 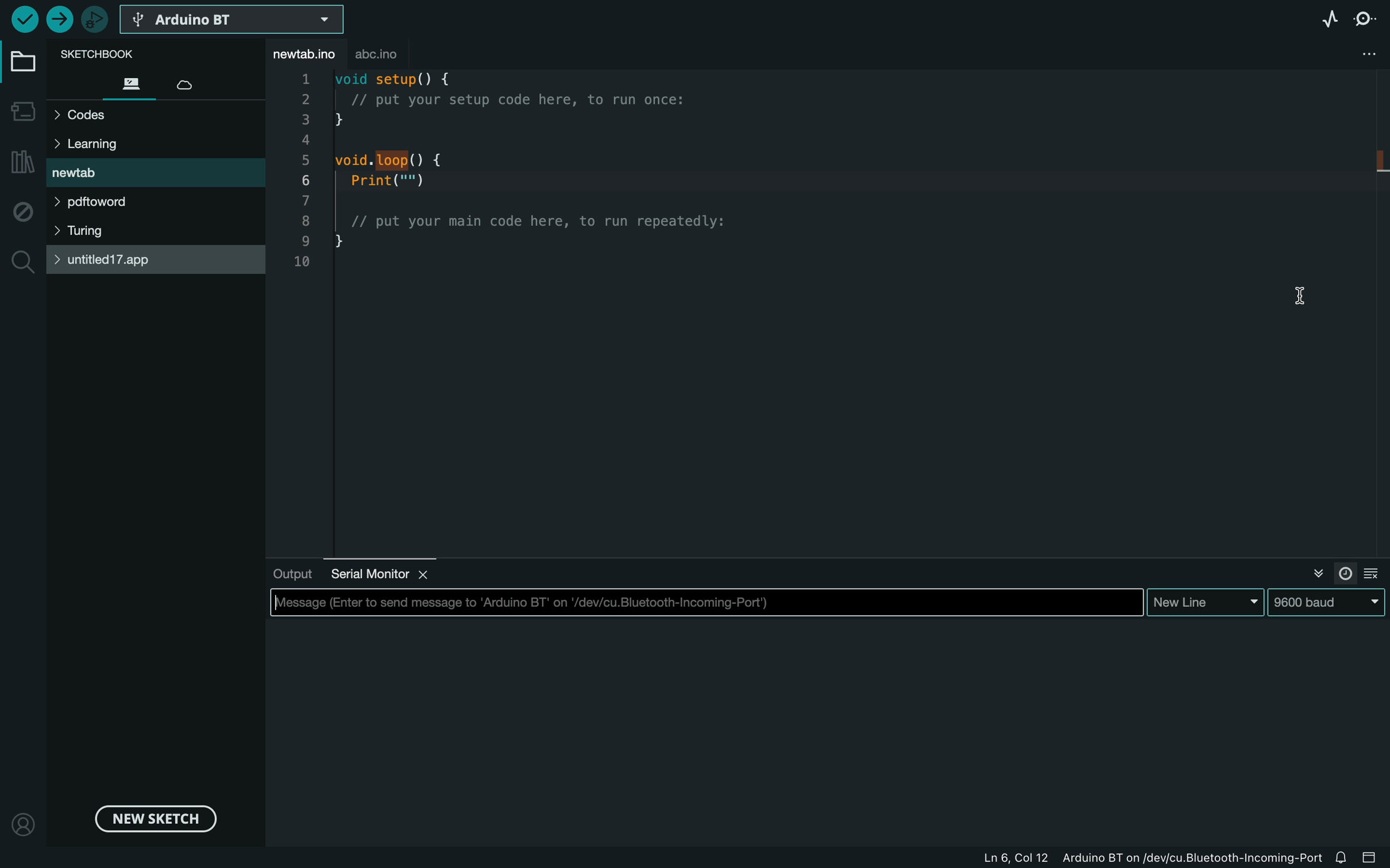 What do you see at coordinates (1310, 572) in the screenshot?
I see `close` at bounding box center [1310, 572].